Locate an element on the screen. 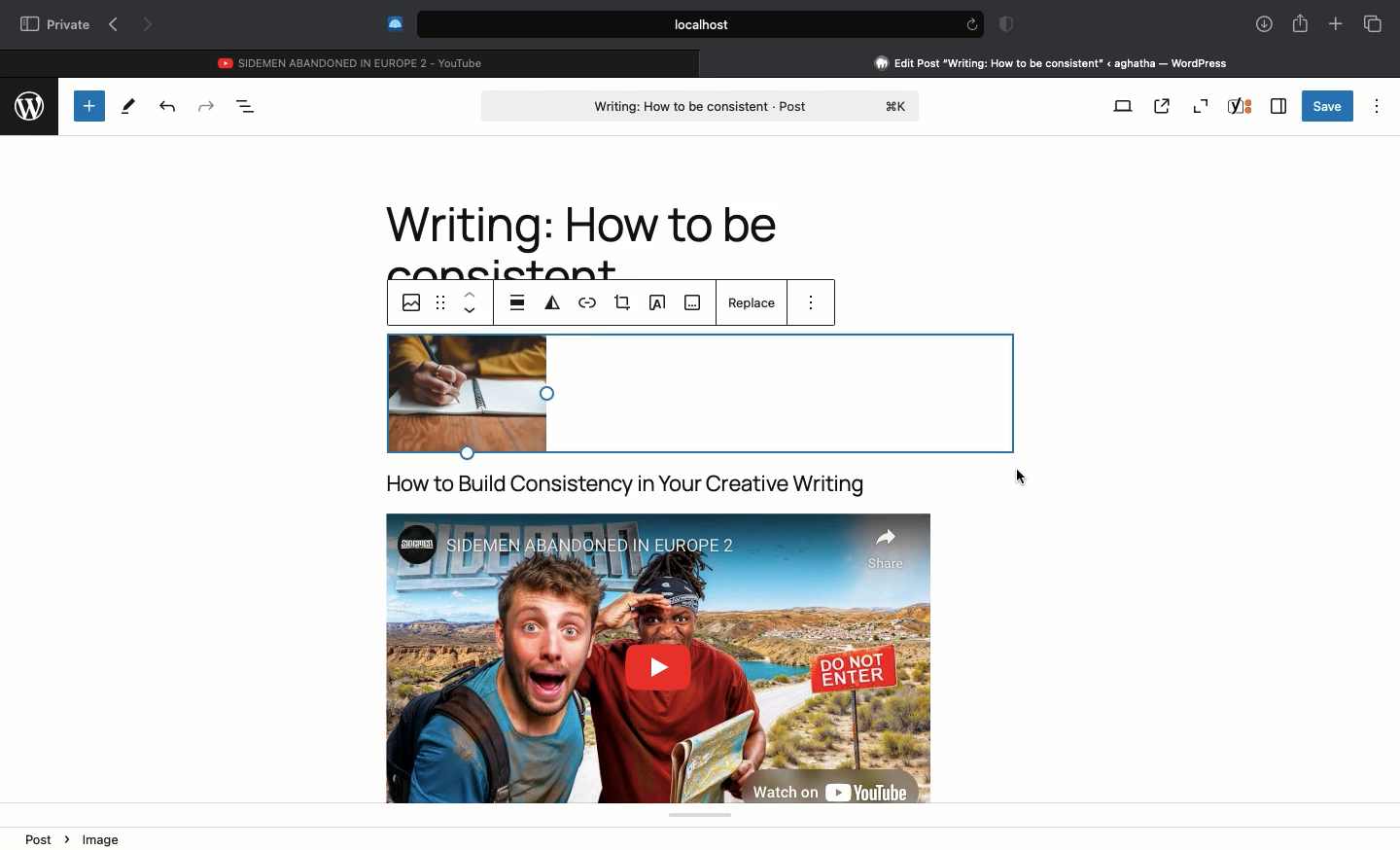 Image resolution: width=1400 pixels, height=850 pixels. Next page is located at coordinates (150, 26).